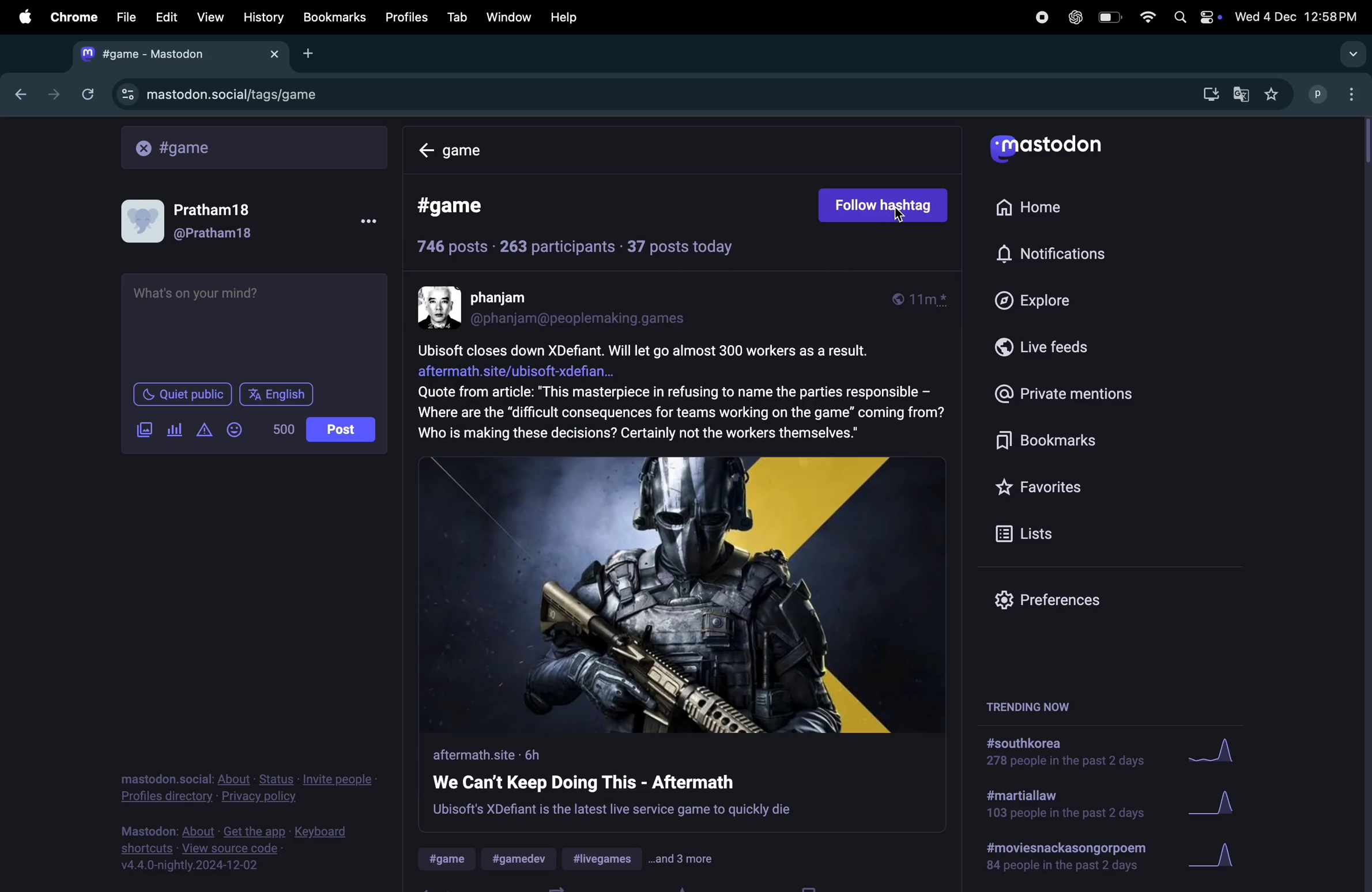 Image resolution: width=1372 pixels, height=892 pixels. What do you see at coordinates (72, 16) in the screenshot?
I see `Chrome` at bounding box center [72, 16].